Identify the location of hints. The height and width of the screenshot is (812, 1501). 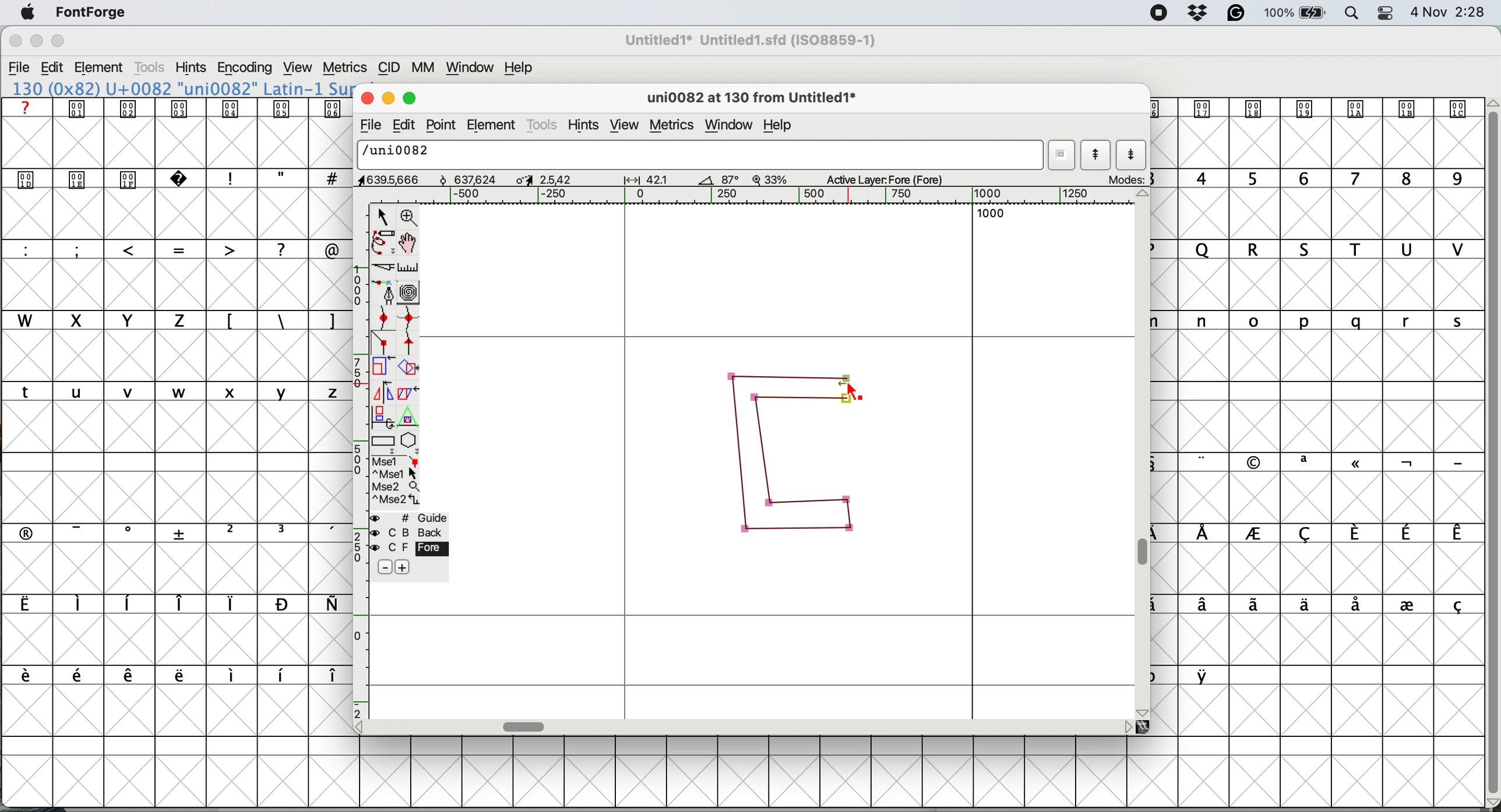
(191, 67).